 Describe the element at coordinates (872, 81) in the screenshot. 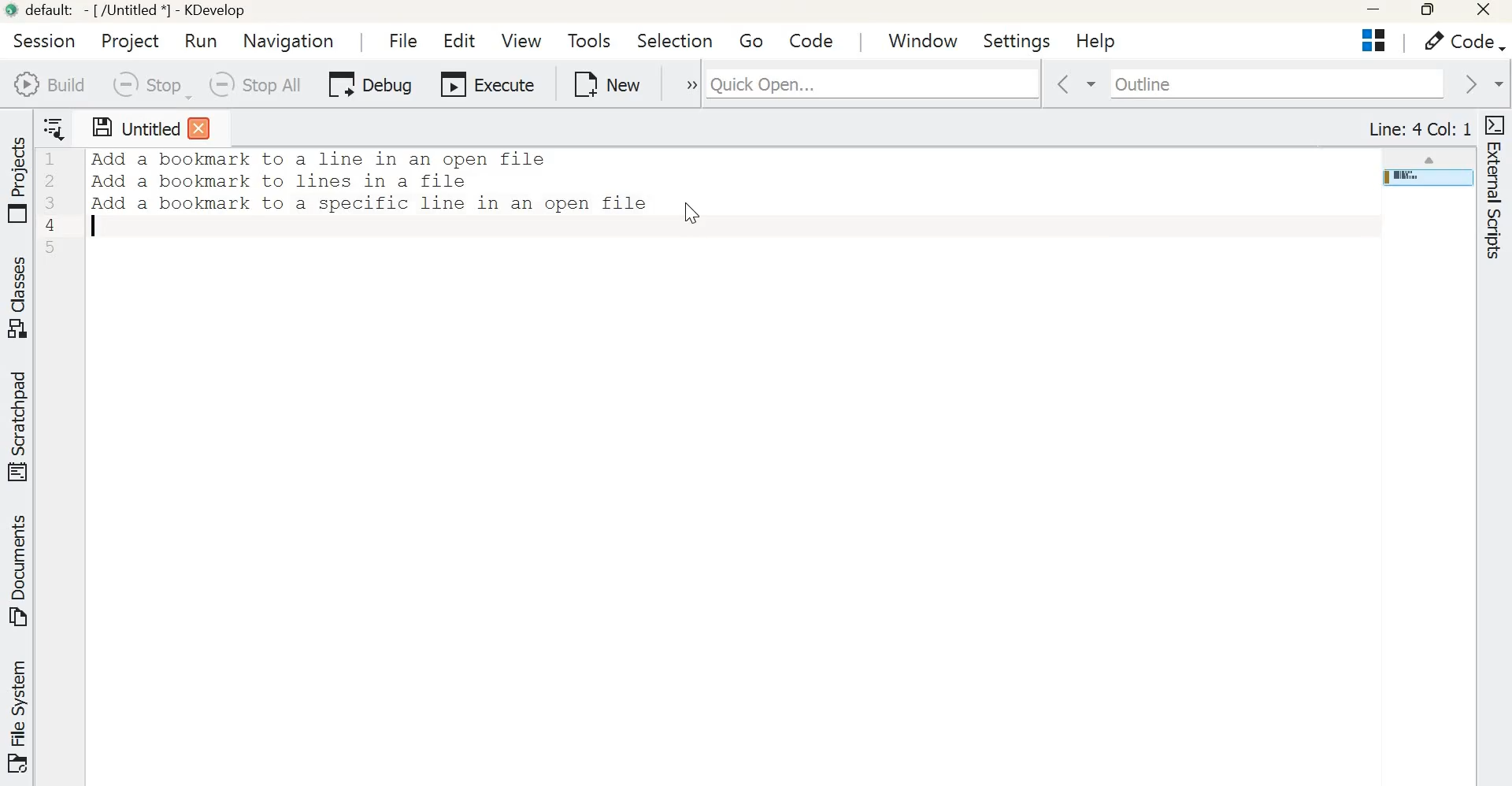

I see `Quick Open` at that location.